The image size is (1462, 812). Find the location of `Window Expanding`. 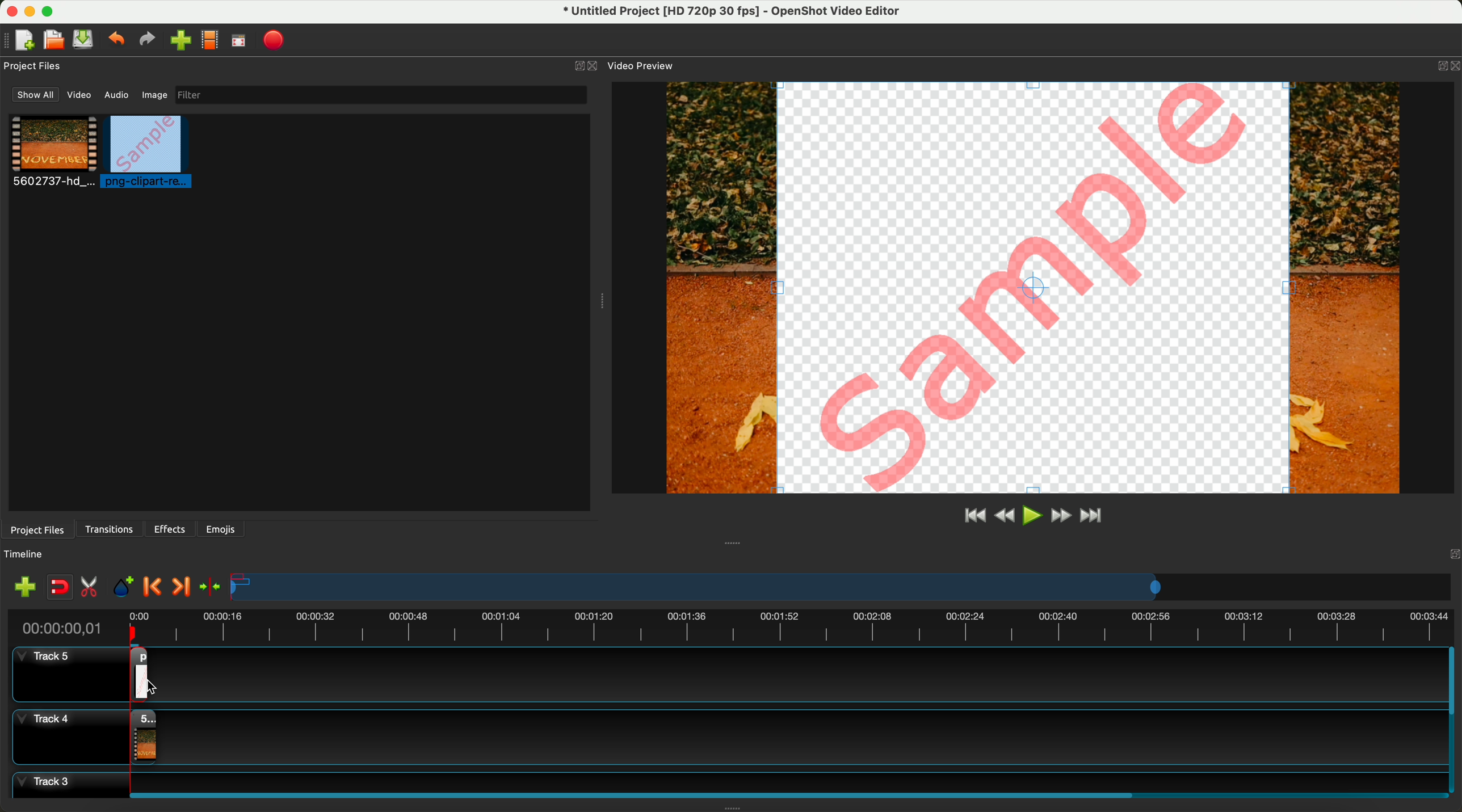

Window Expanding is located at coordinates (599, 302).